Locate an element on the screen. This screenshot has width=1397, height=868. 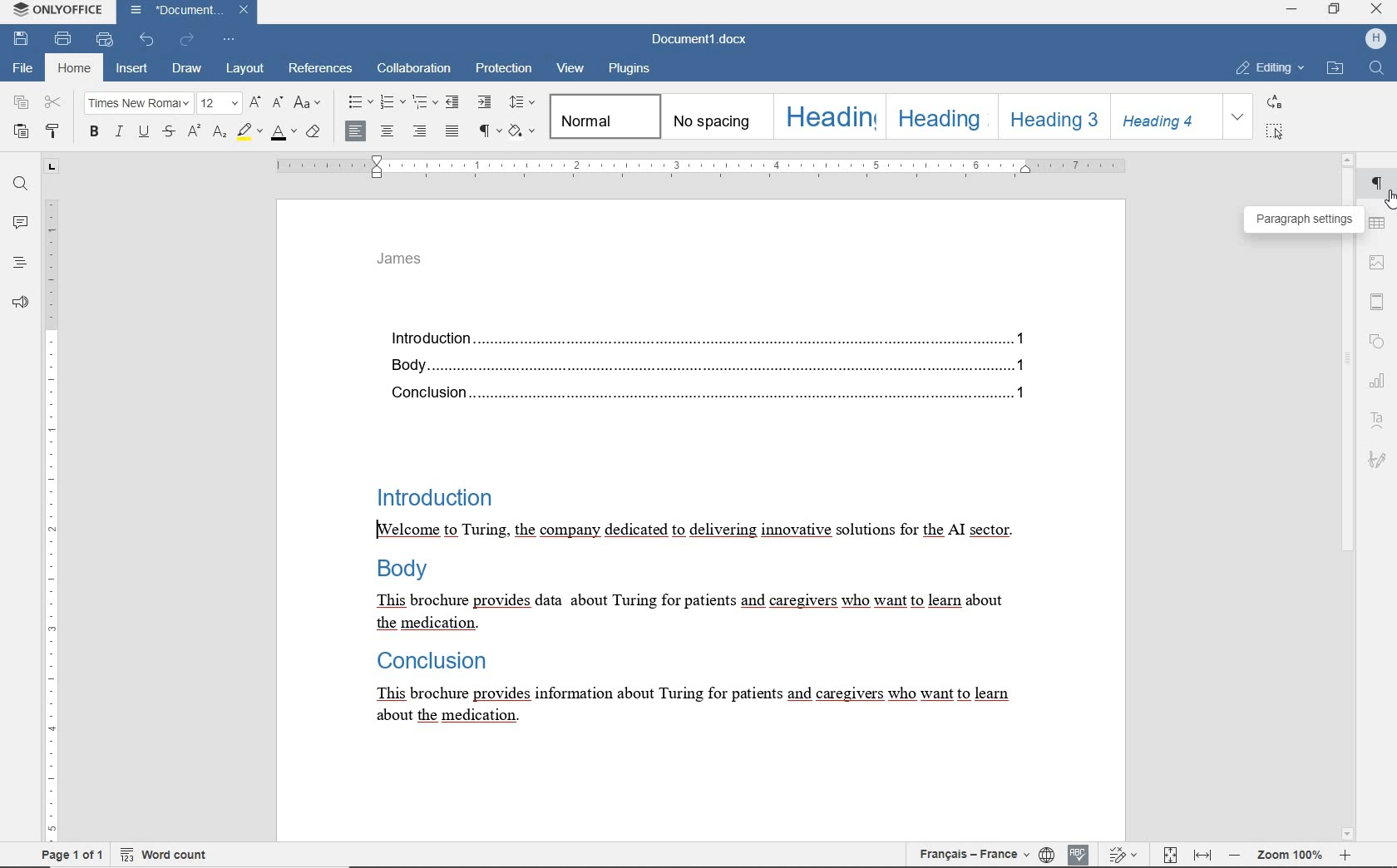
Body is located at coordinates (399, 570).